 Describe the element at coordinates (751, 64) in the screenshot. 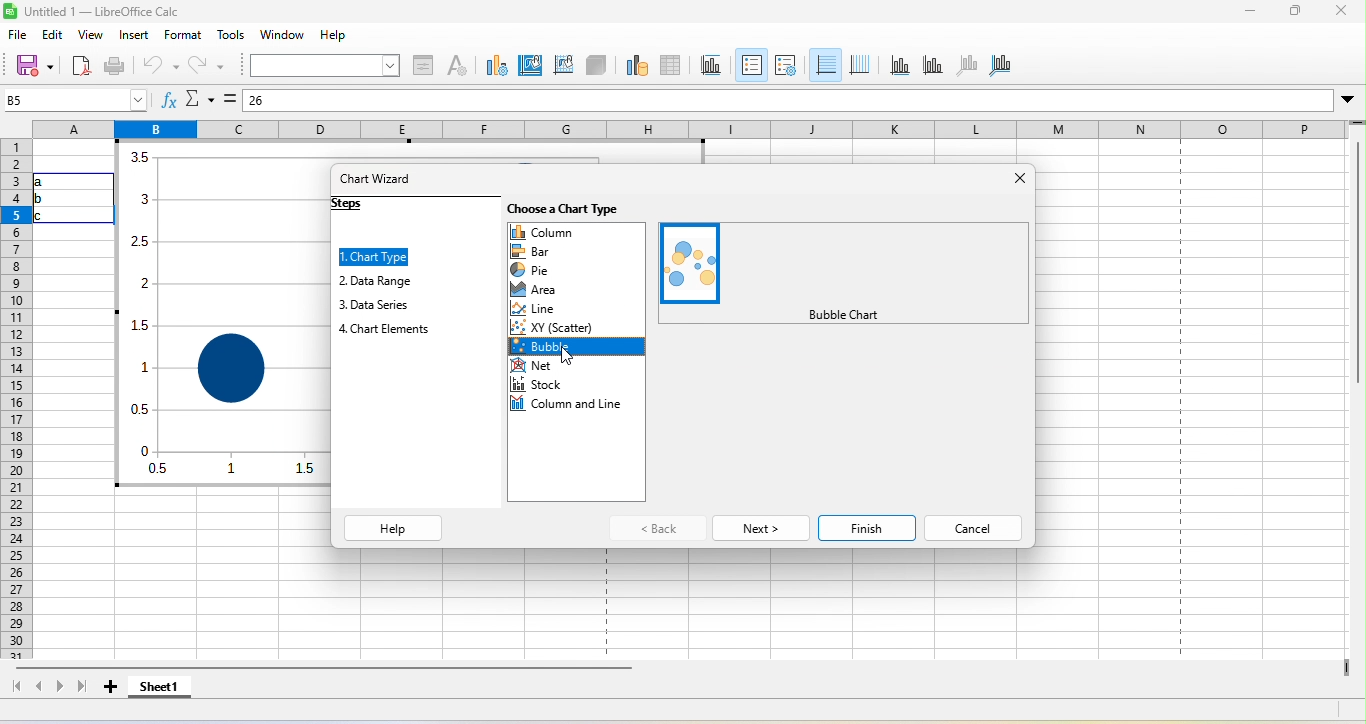

I see `legend on/off` at that location.